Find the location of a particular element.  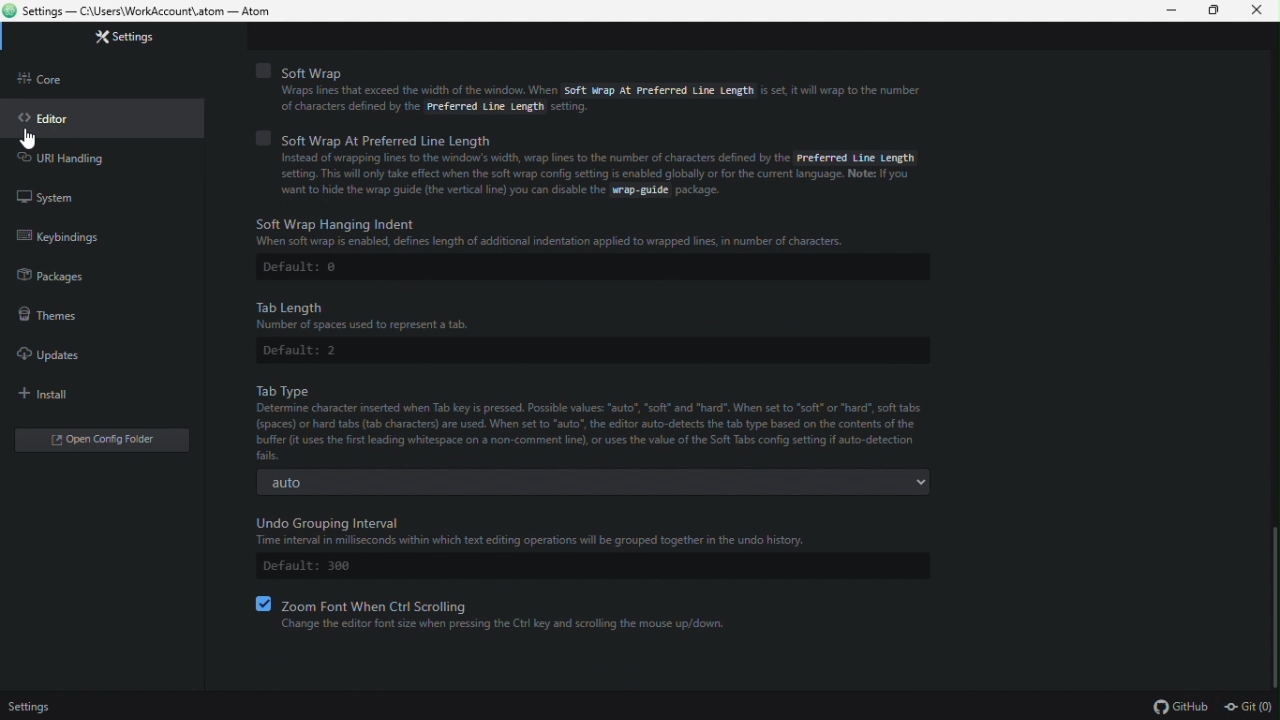

core is located at coordinates (51, 84).